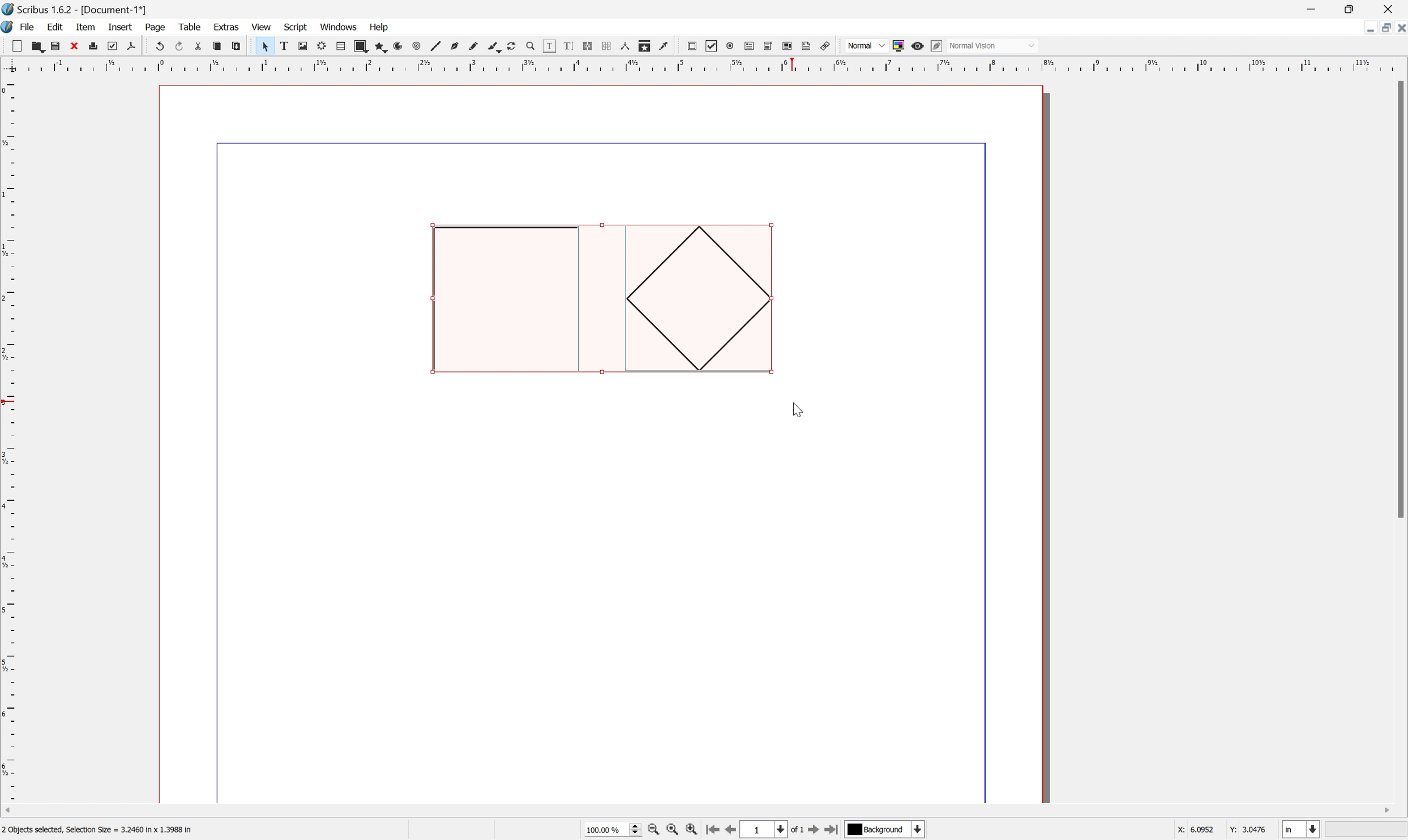  Describe the element at coordinates (652, 830) in the screenshot. I see `Zoom in` at that location.